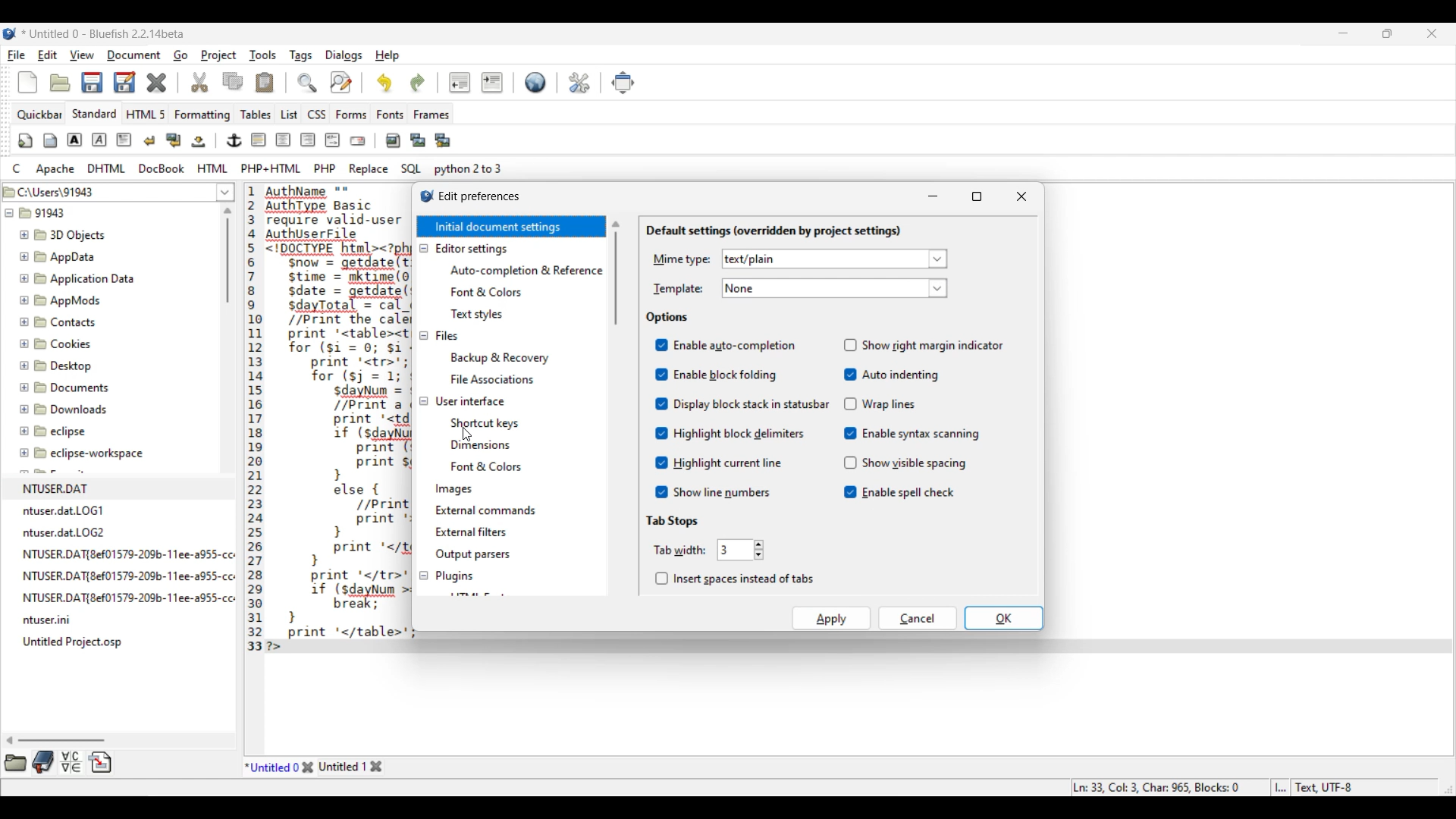 This screenshot has height=819, width=1456. What do you see at coordinates (934, 419) in the screenshot?
I see `Toggle options` at bounding box center [934, 419].